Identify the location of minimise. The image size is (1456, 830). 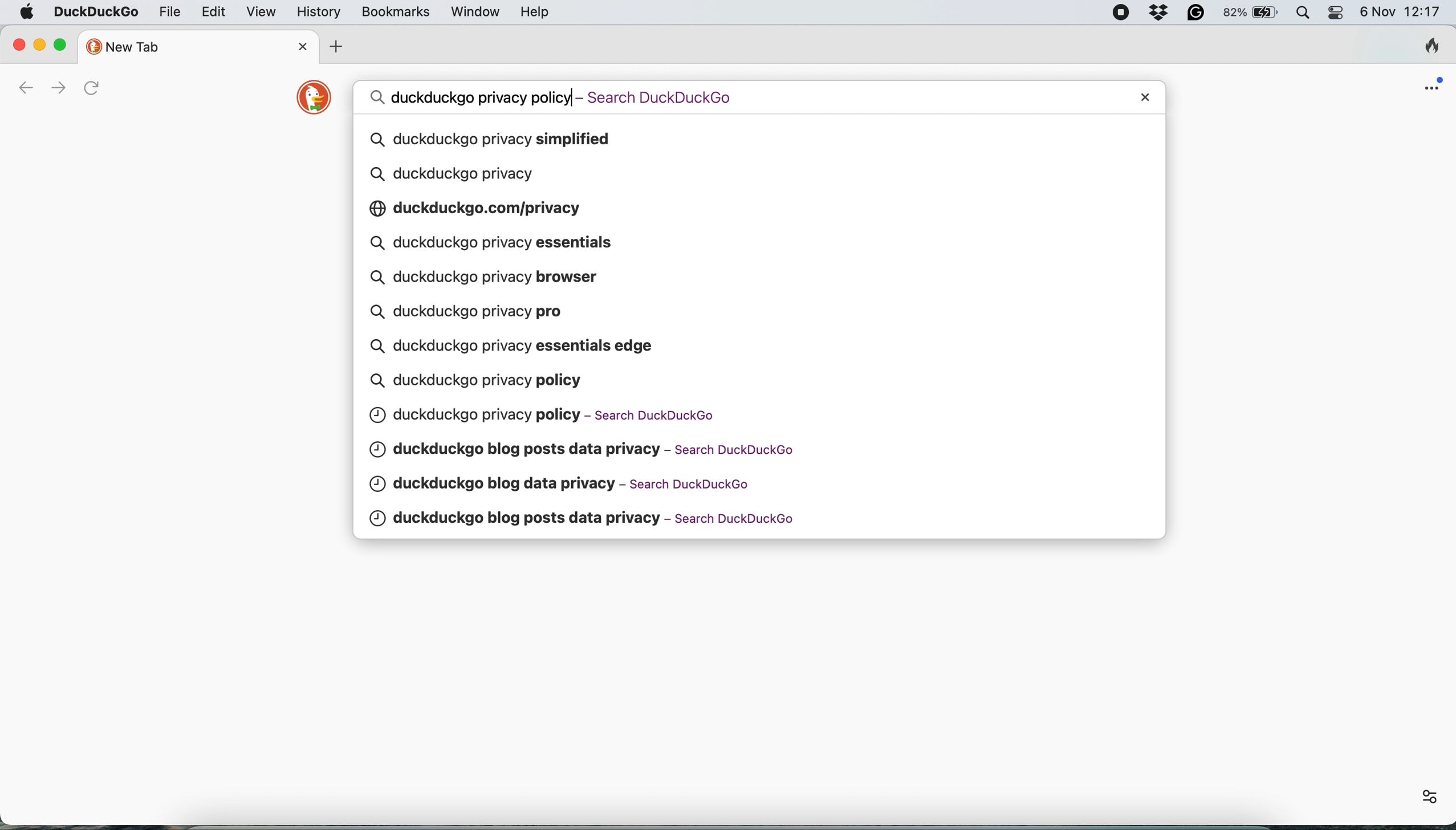
(39, 46).